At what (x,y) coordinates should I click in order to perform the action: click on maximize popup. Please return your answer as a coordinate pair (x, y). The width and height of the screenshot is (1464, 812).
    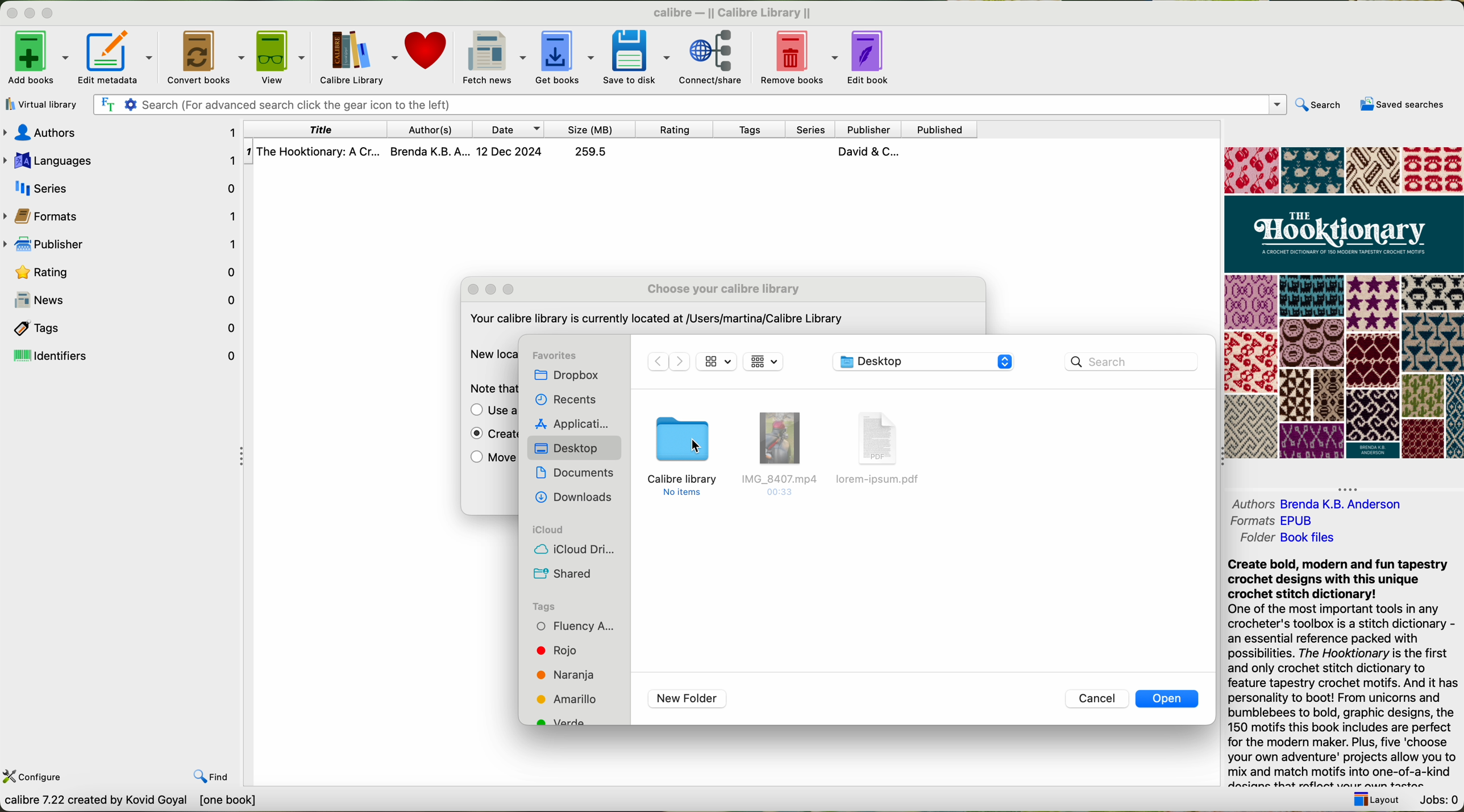
    Looking at the image, I should click on (510, 289).